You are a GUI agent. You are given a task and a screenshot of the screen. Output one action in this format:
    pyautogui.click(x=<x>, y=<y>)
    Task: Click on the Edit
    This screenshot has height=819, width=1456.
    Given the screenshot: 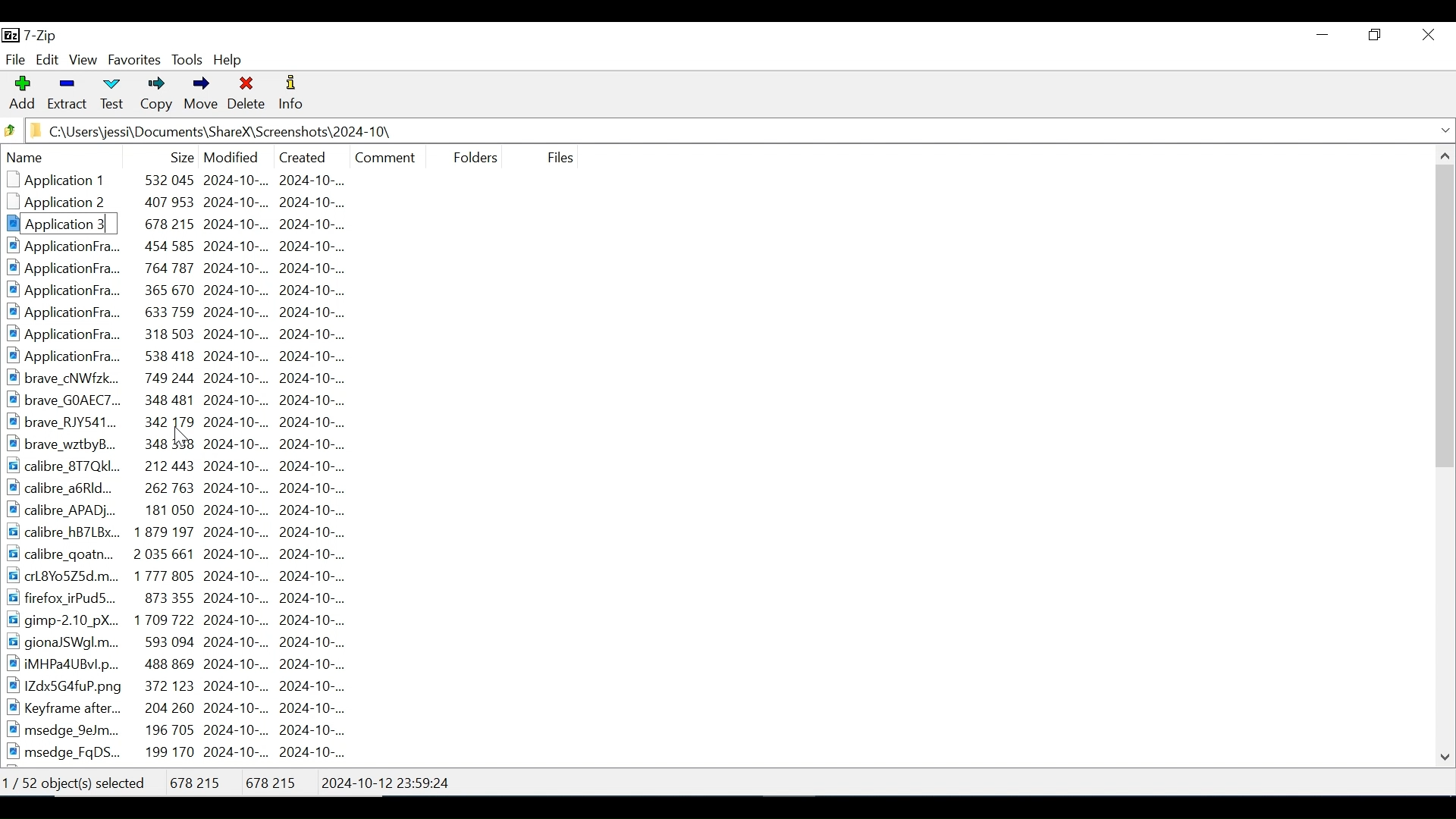 What is the action you would take?
    pyautogui.click(x=47, y=60)
    